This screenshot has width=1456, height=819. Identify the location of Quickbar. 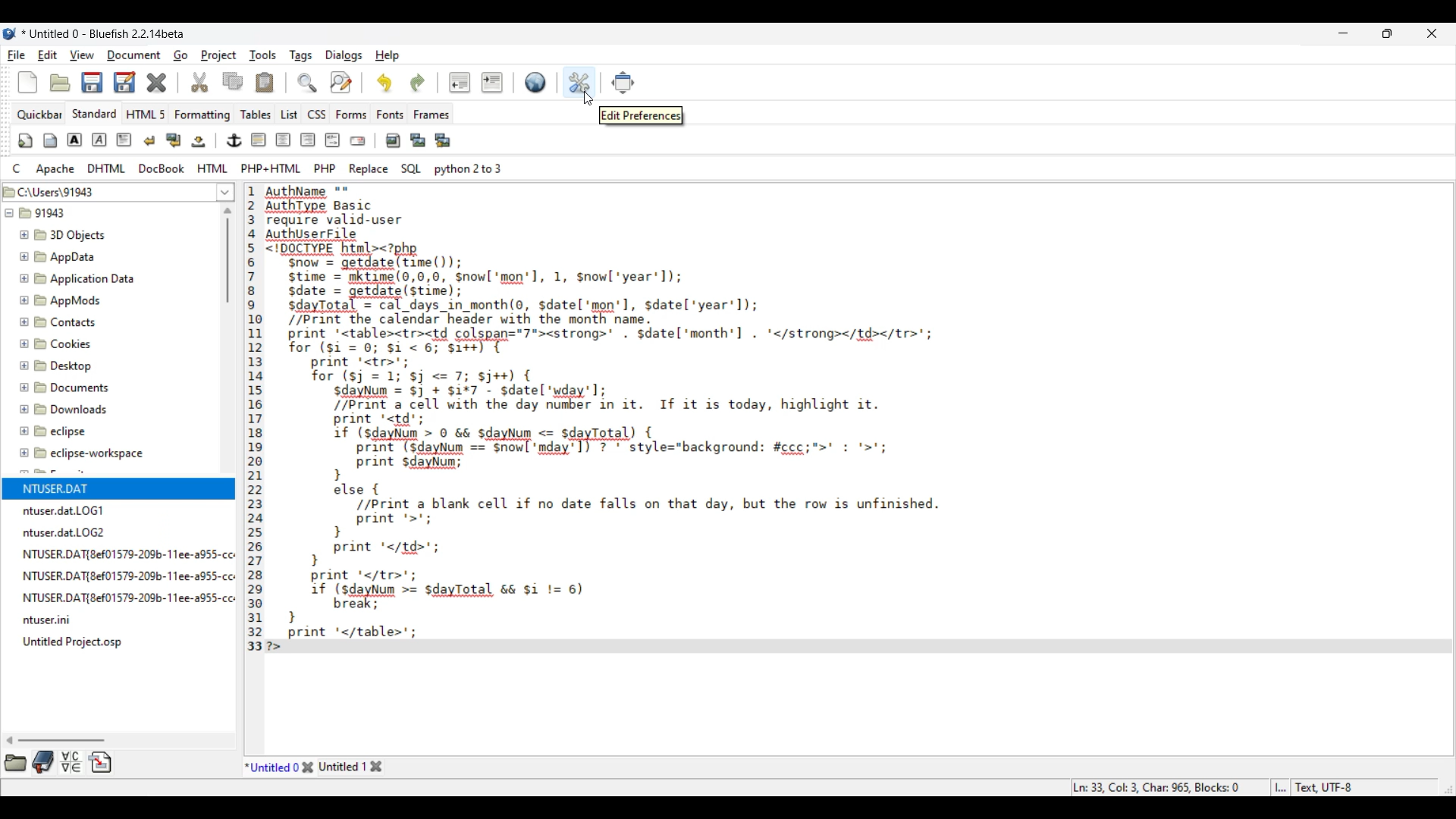
(39, 115).